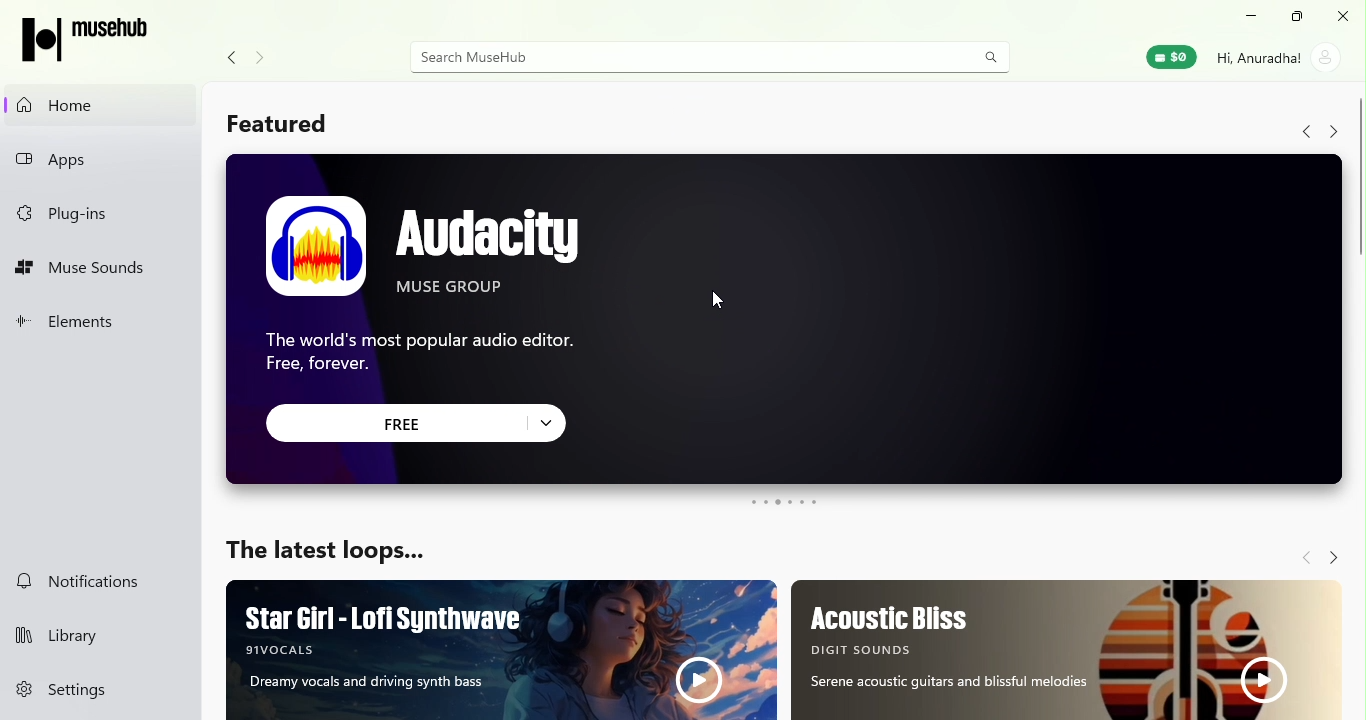  Describe the element at coordinates (262, 58) in the screenshot. I see `Navigate forward` at that location.